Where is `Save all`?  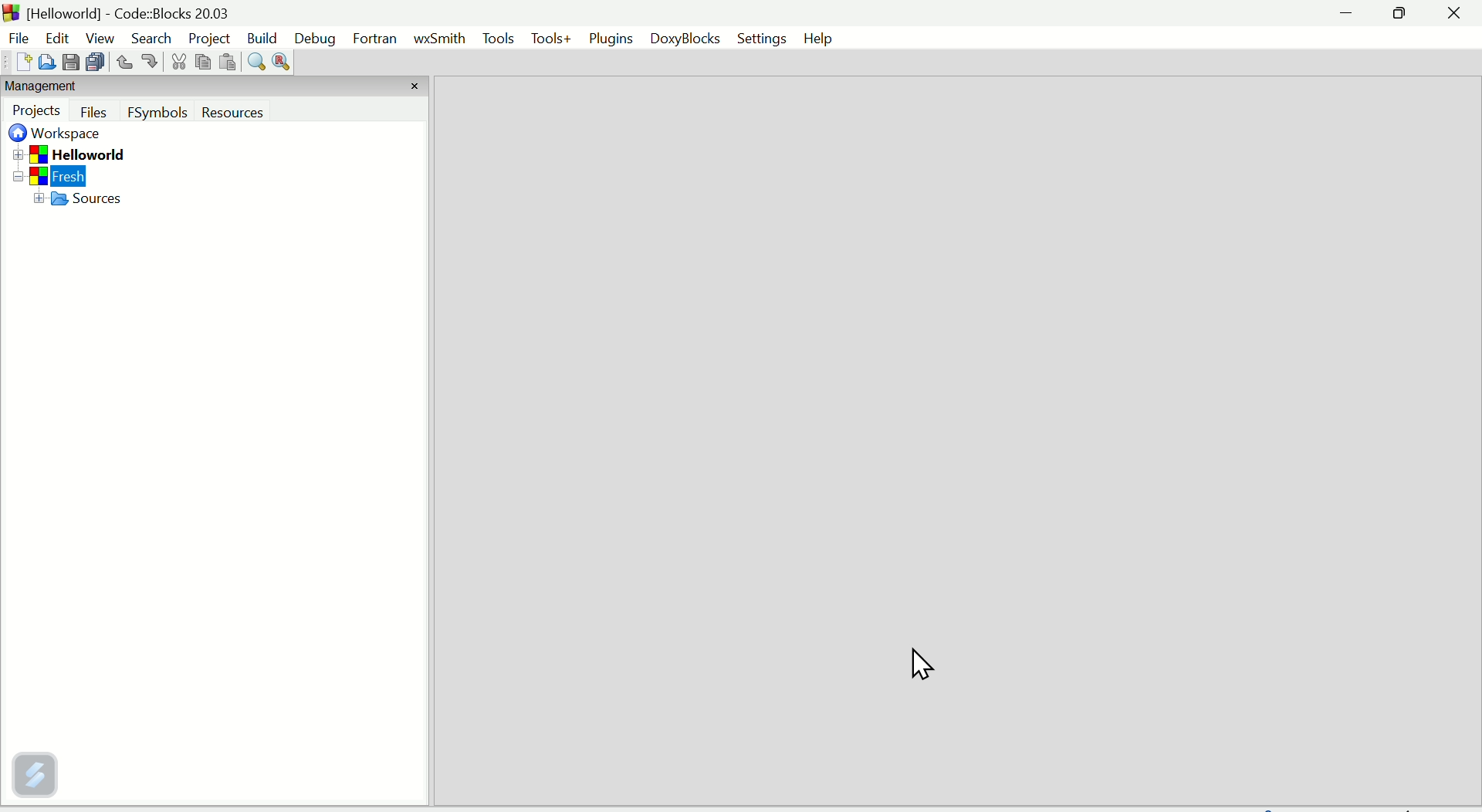 Save all is located at coordinates (98, 63).